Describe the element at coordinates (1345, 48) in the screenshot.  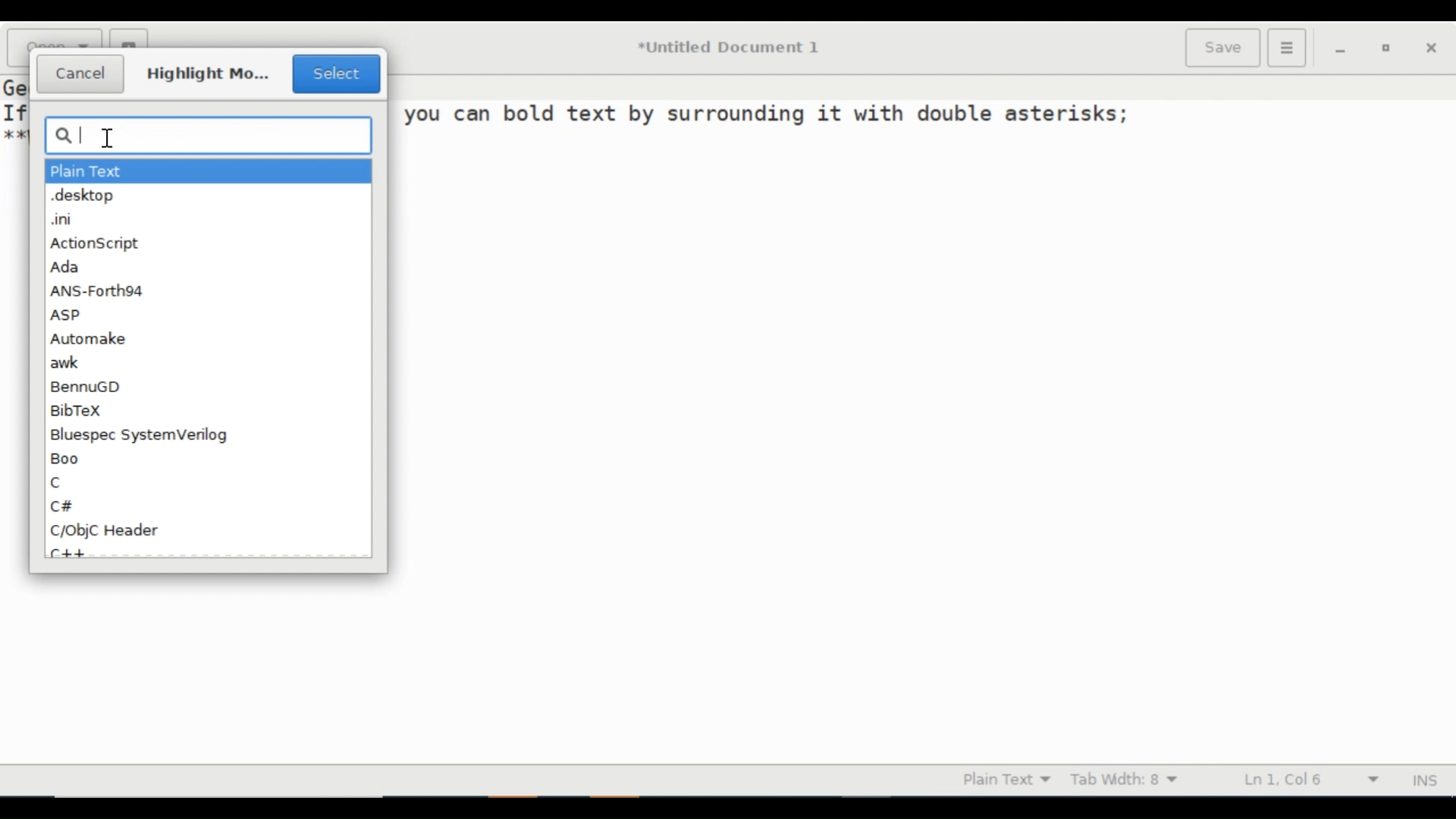
I see `minimize` at that location.